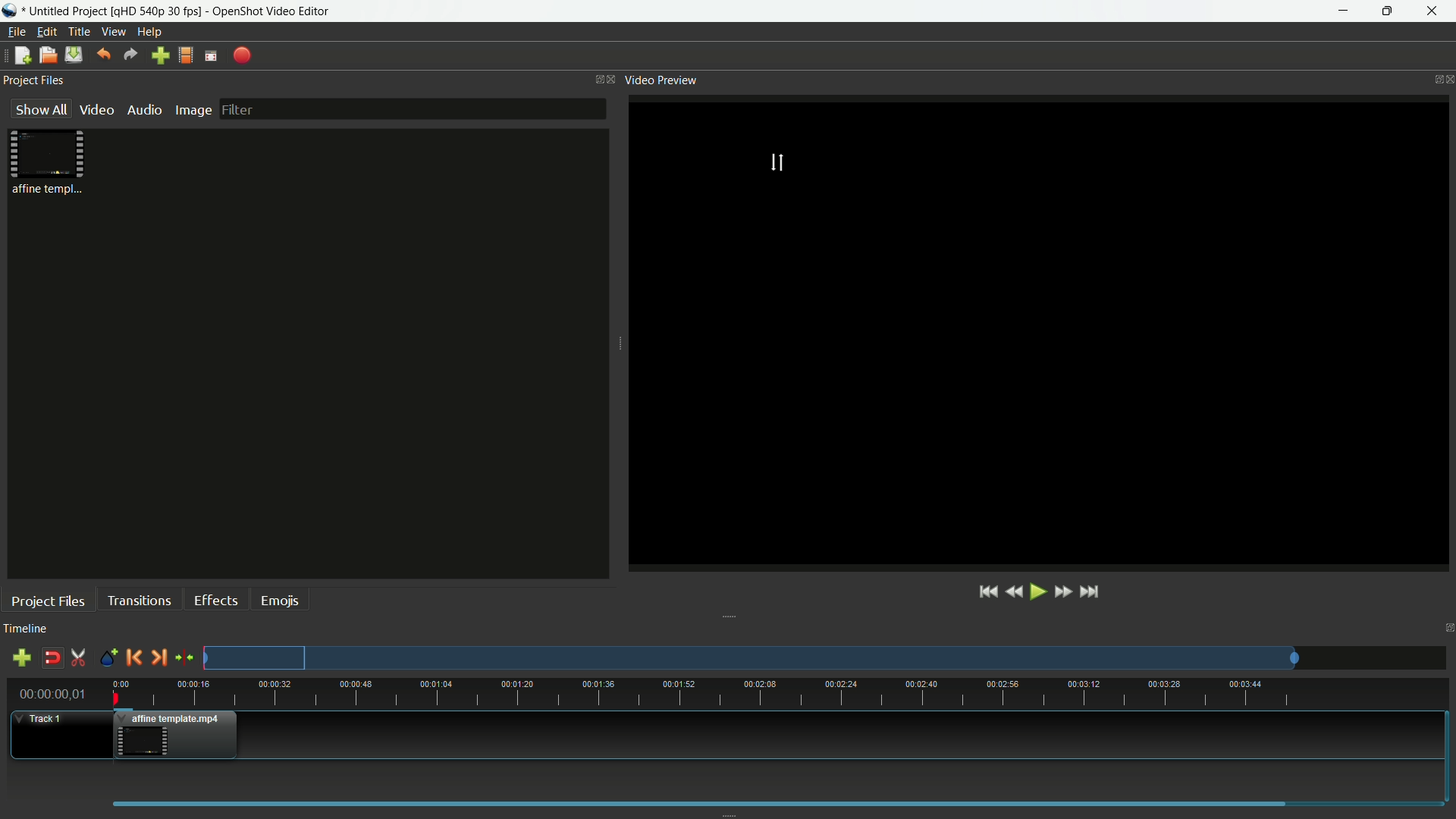 This screenshot has height=819, width=1456. Describe the element at coordinates (103, 55) in the screenshot. I see `undo` at that location.